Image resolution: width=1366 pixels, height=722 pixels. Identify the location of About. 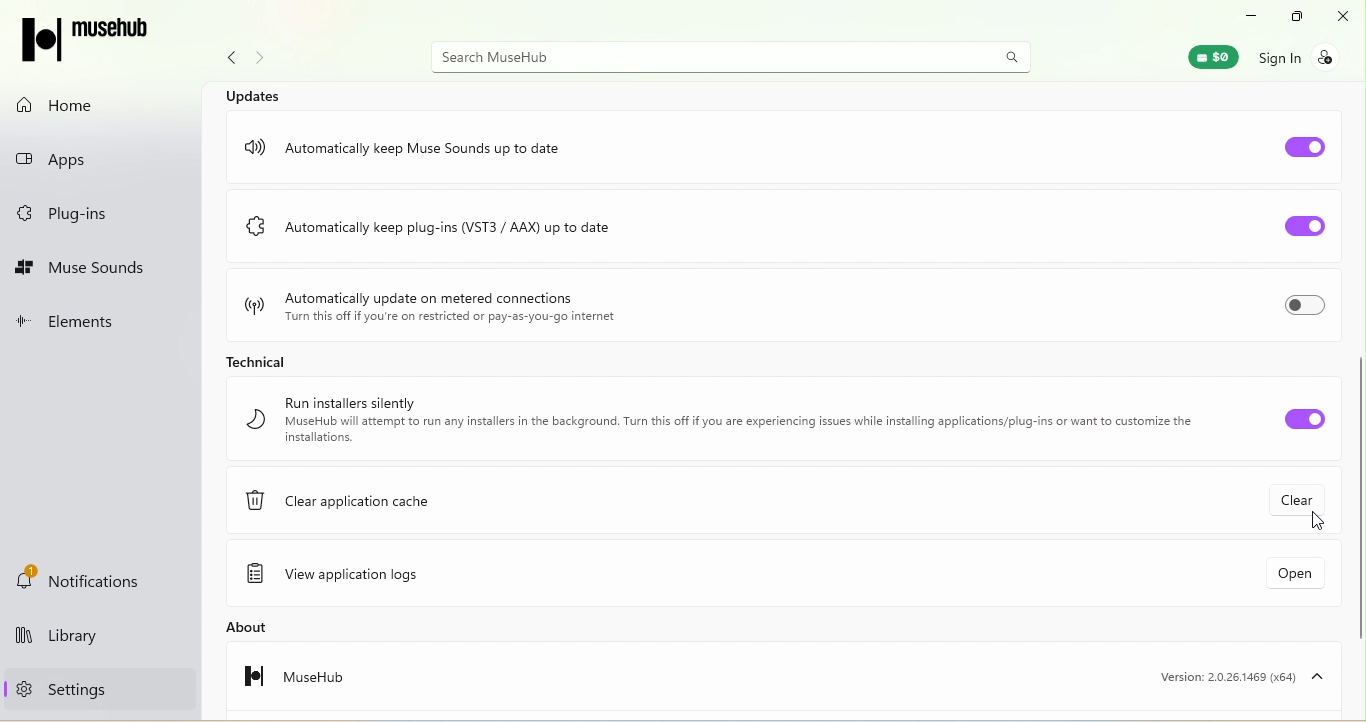
(279, 627).